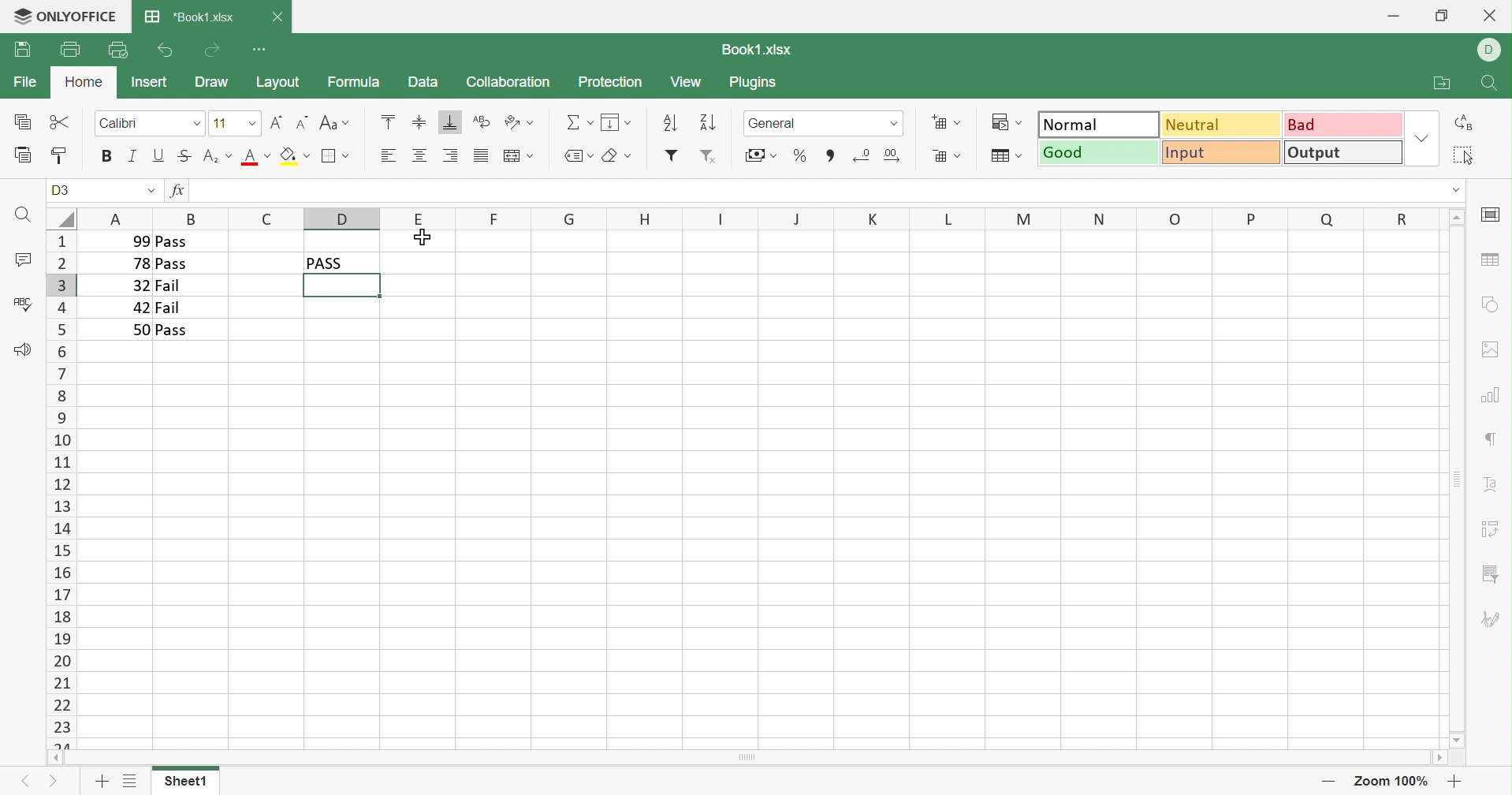 The width and height of the screenshot is (1512, 795). Describe the element at coordinates (1455, 781) in the screenshot. I see `Zoom in` at that location.